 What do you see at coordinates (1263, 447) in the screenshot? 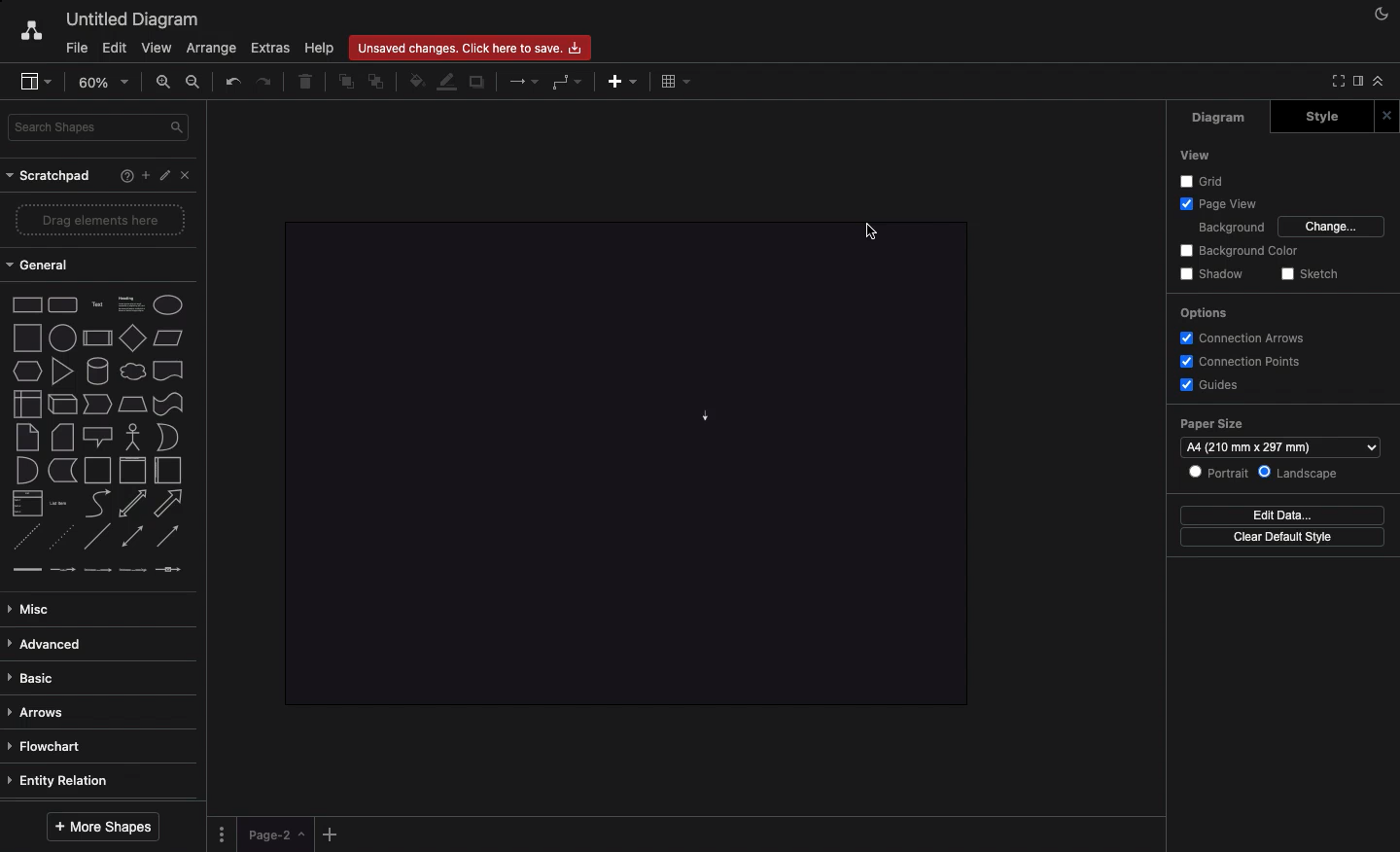
I see `A4 (210 mm x 287 mm)` at bounding box center [1263, 447].